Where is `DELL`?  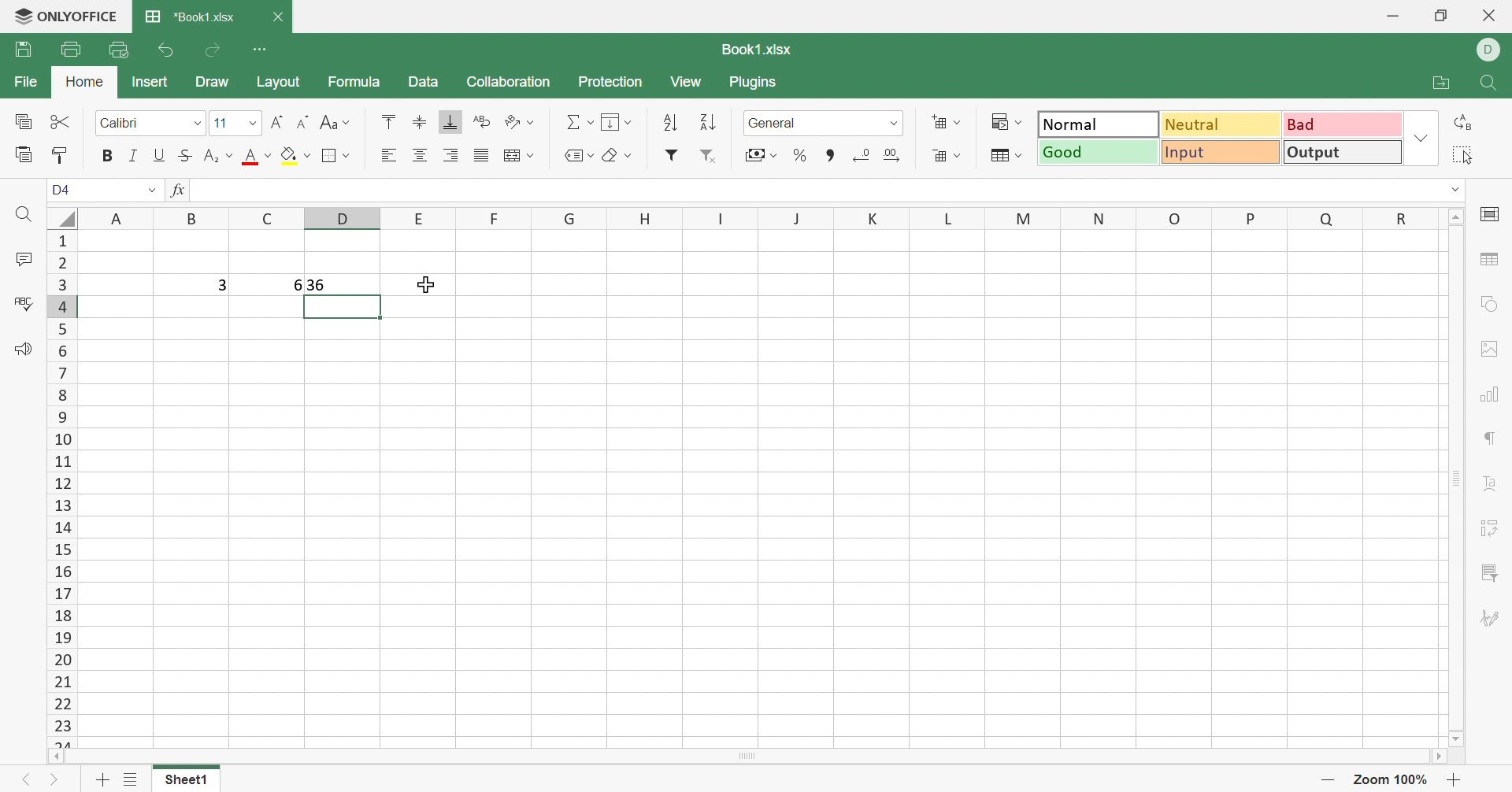
DELL is located at coordinates (1491, 48).